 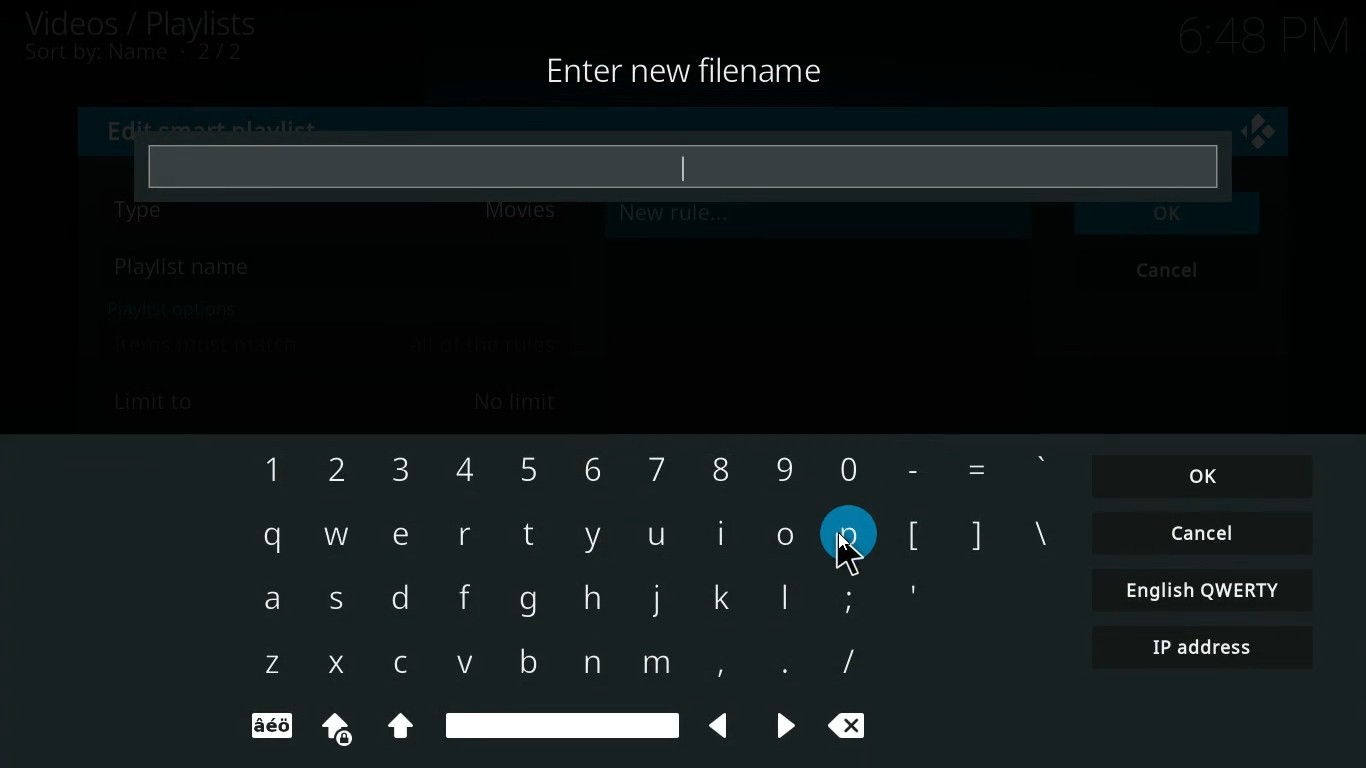 What do you see at coordinates (779, 667) in the screenshot?
I see `.` at bounding box center [779, 667].